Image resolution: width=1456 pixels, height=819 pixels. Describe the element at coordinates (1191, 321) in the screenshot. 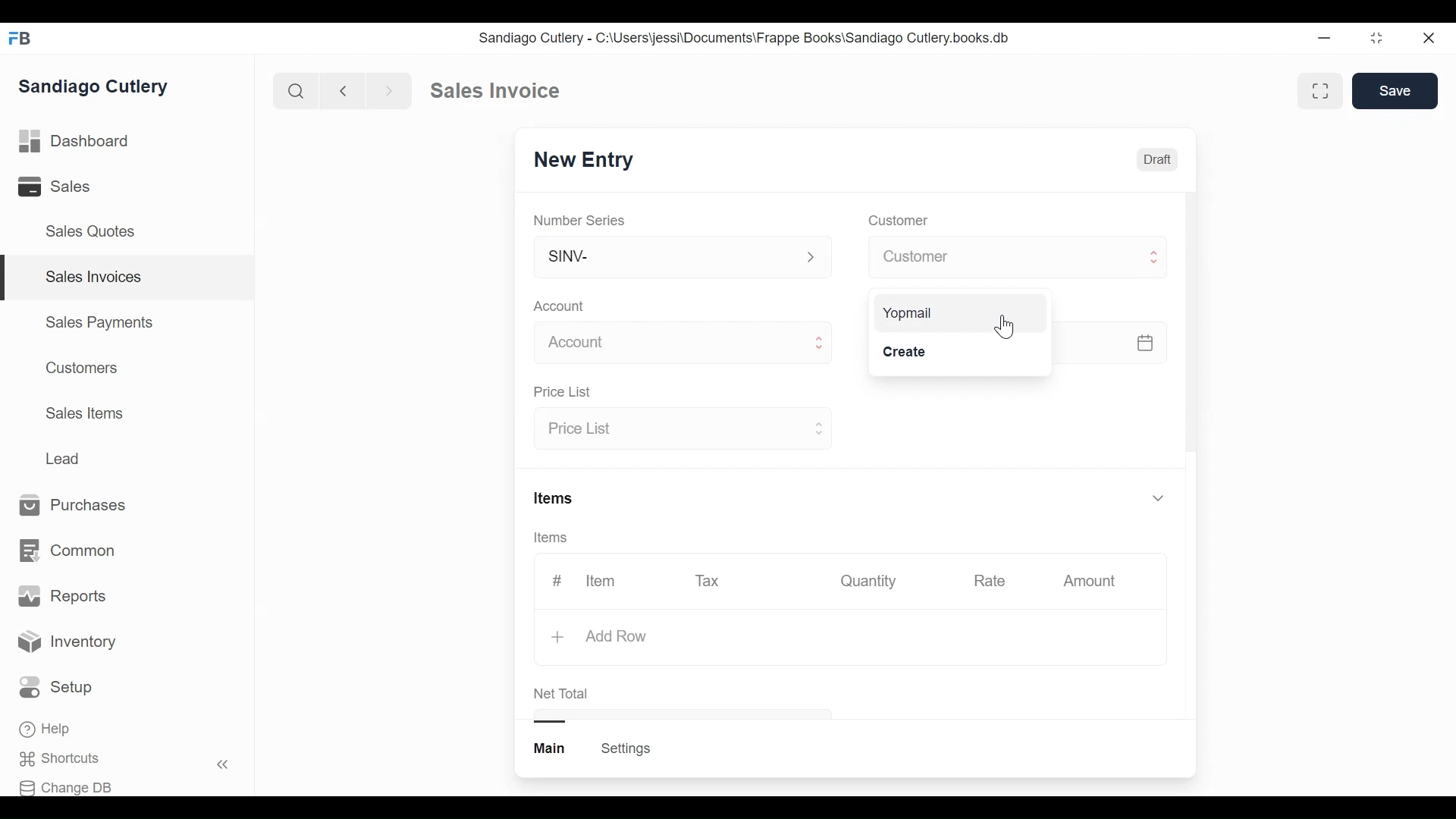

I see `scrollbar` at that location.